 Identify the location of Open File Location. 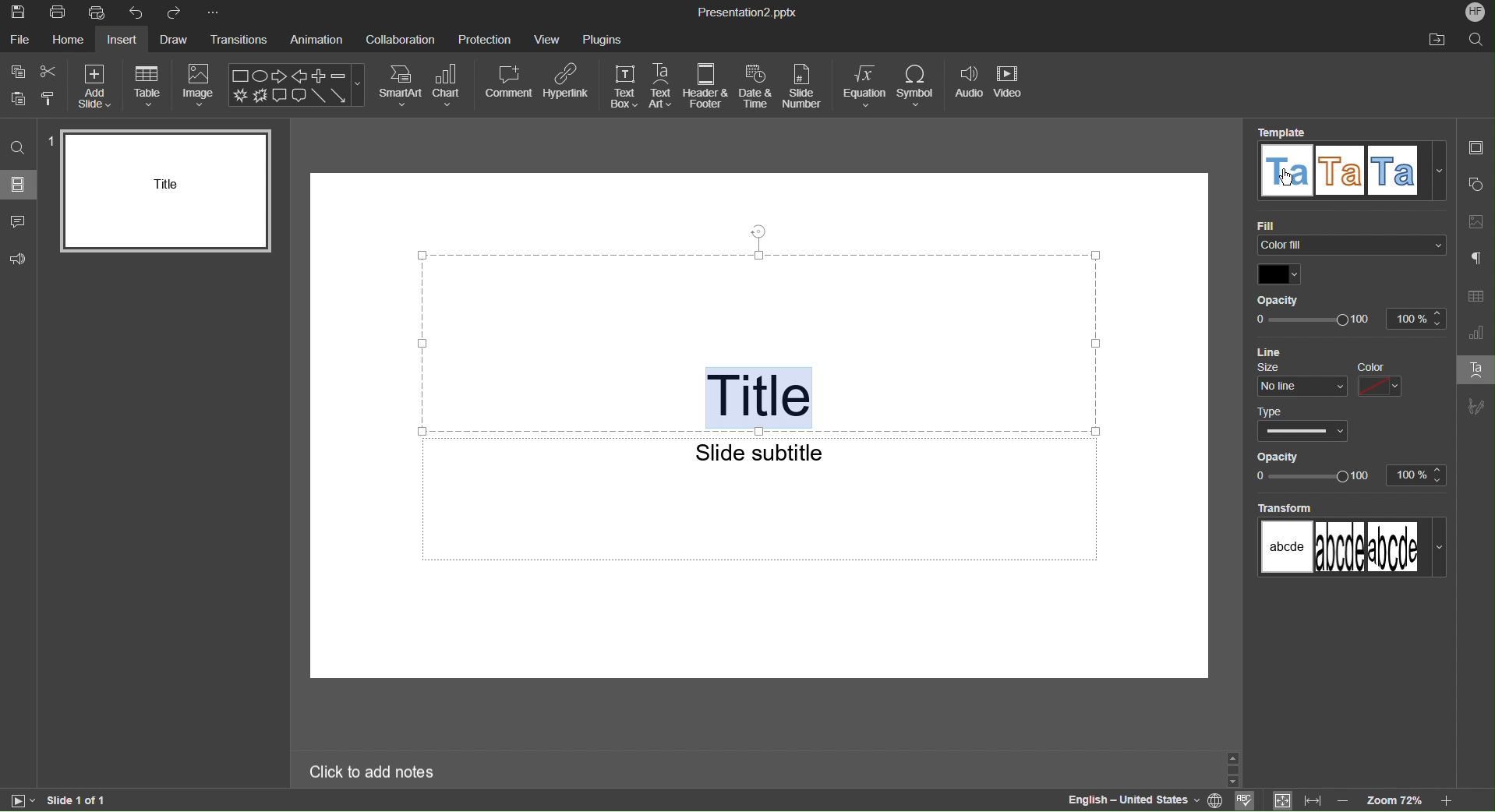
(1435, 41).